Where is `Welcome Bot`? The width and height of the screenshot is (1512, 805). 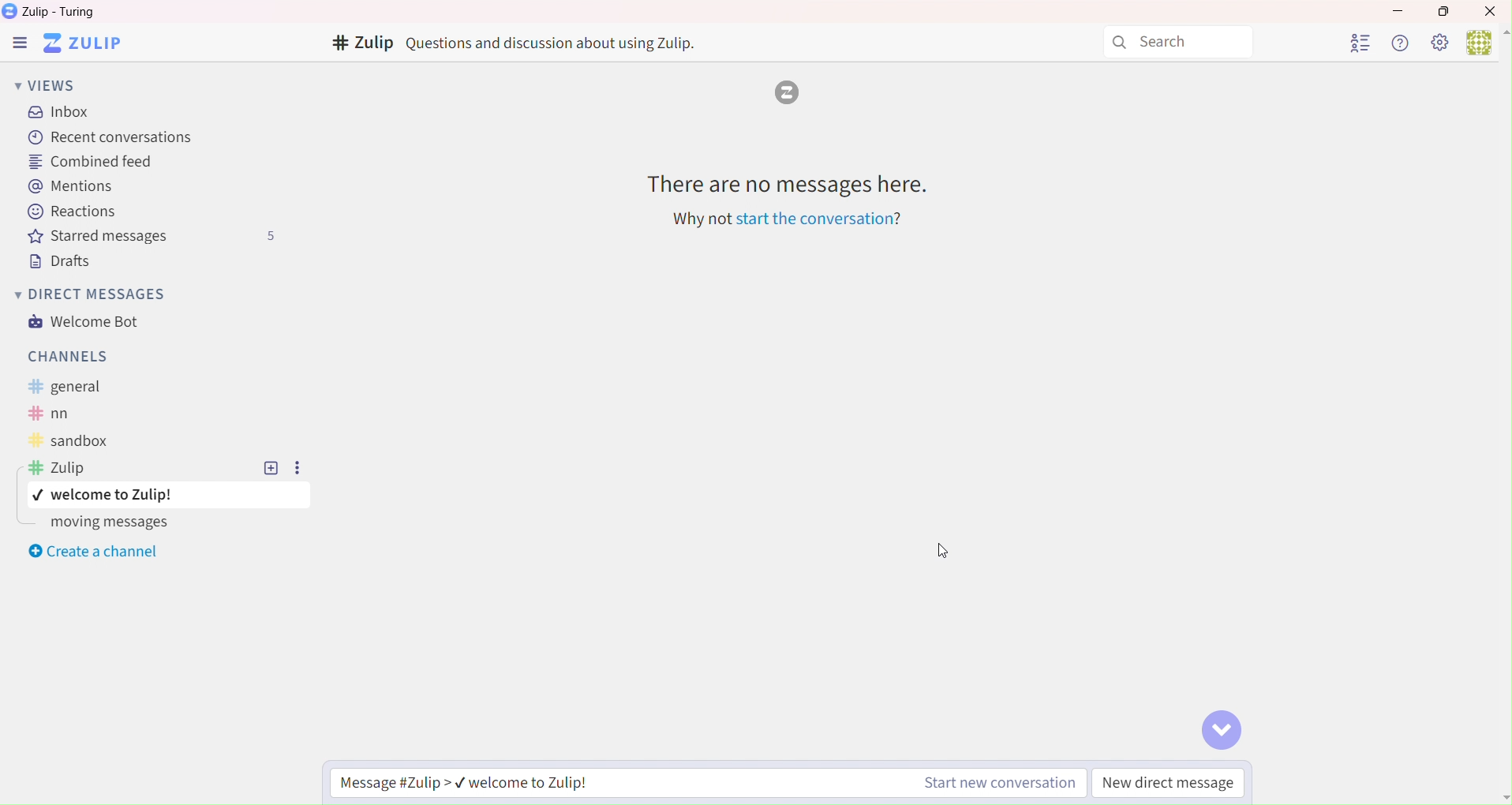 Welcome Bot is located at coordinates (88, 321).